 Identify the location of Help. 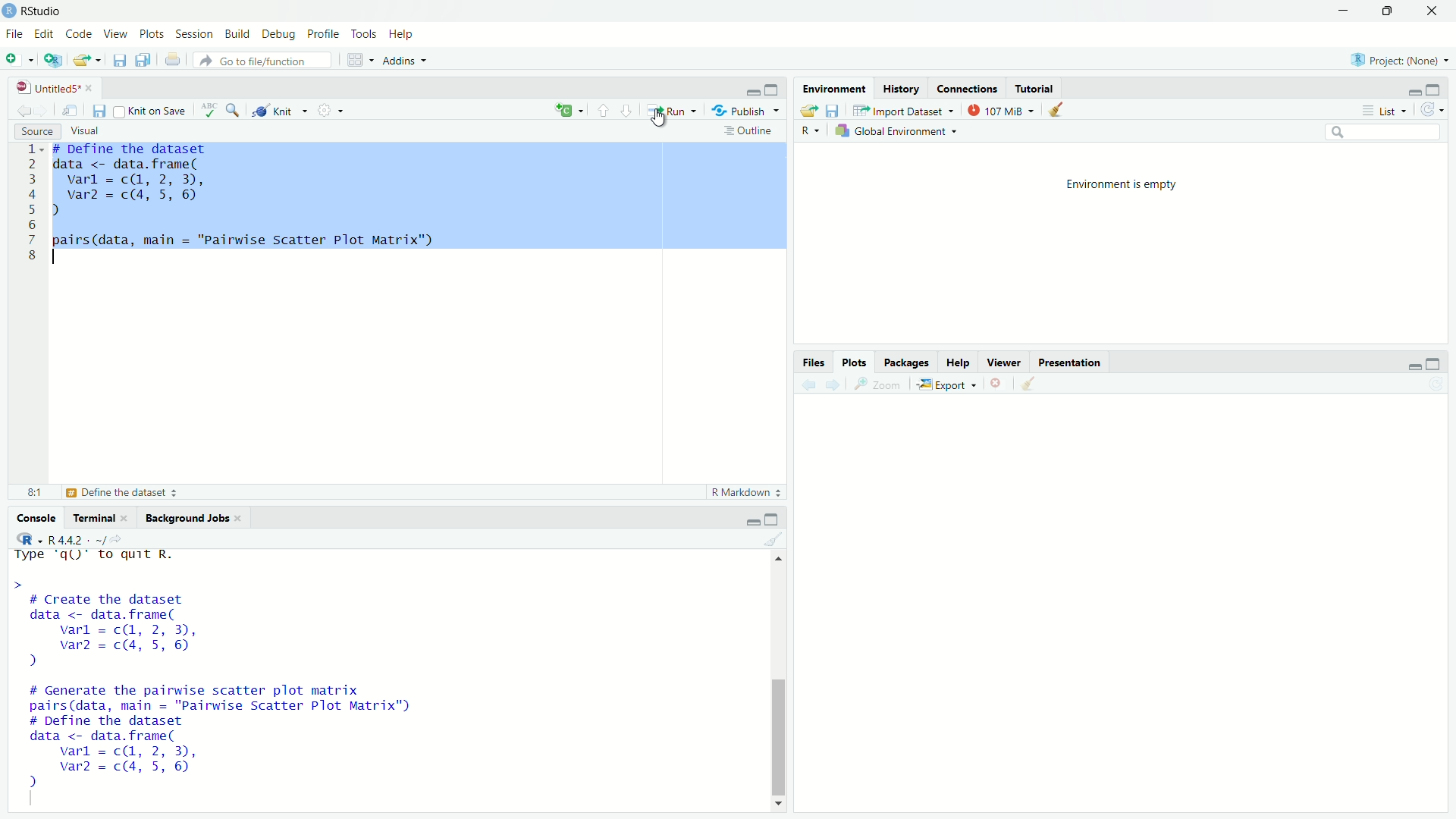
(400, 32).